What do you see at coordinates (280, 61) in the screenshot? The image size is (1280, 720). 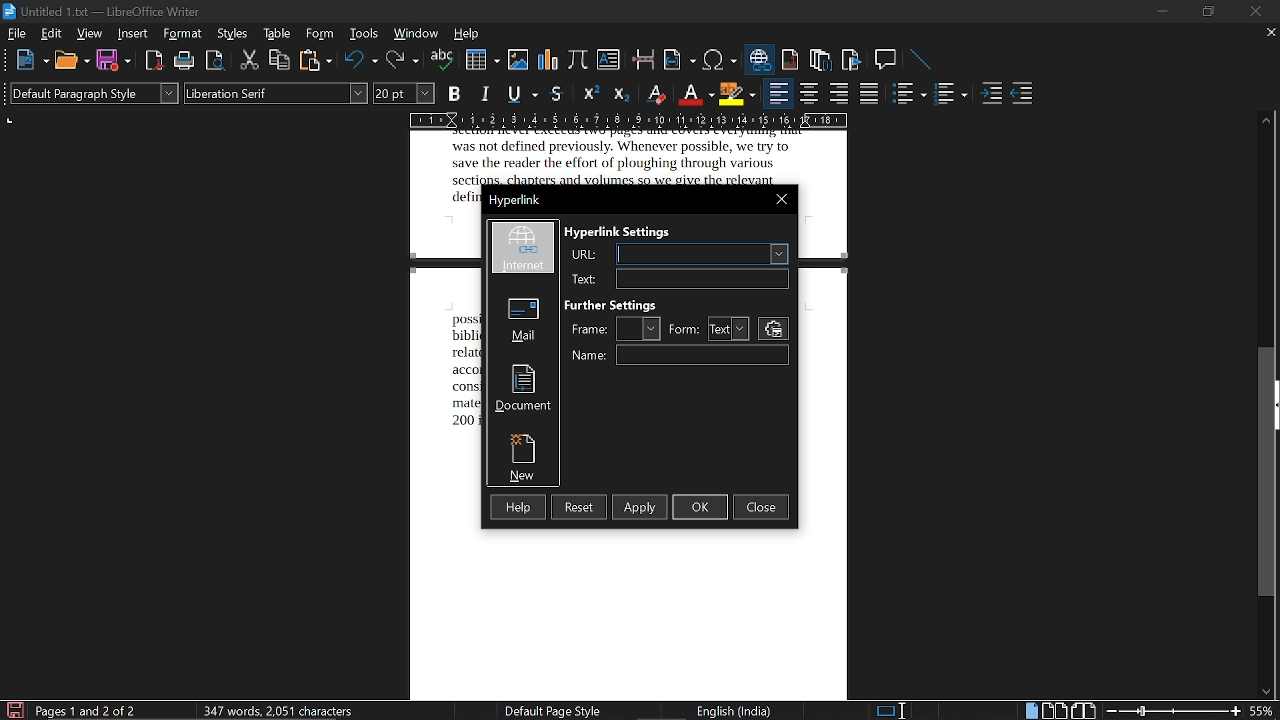 I see `copy` at bounding box center [280, 61].